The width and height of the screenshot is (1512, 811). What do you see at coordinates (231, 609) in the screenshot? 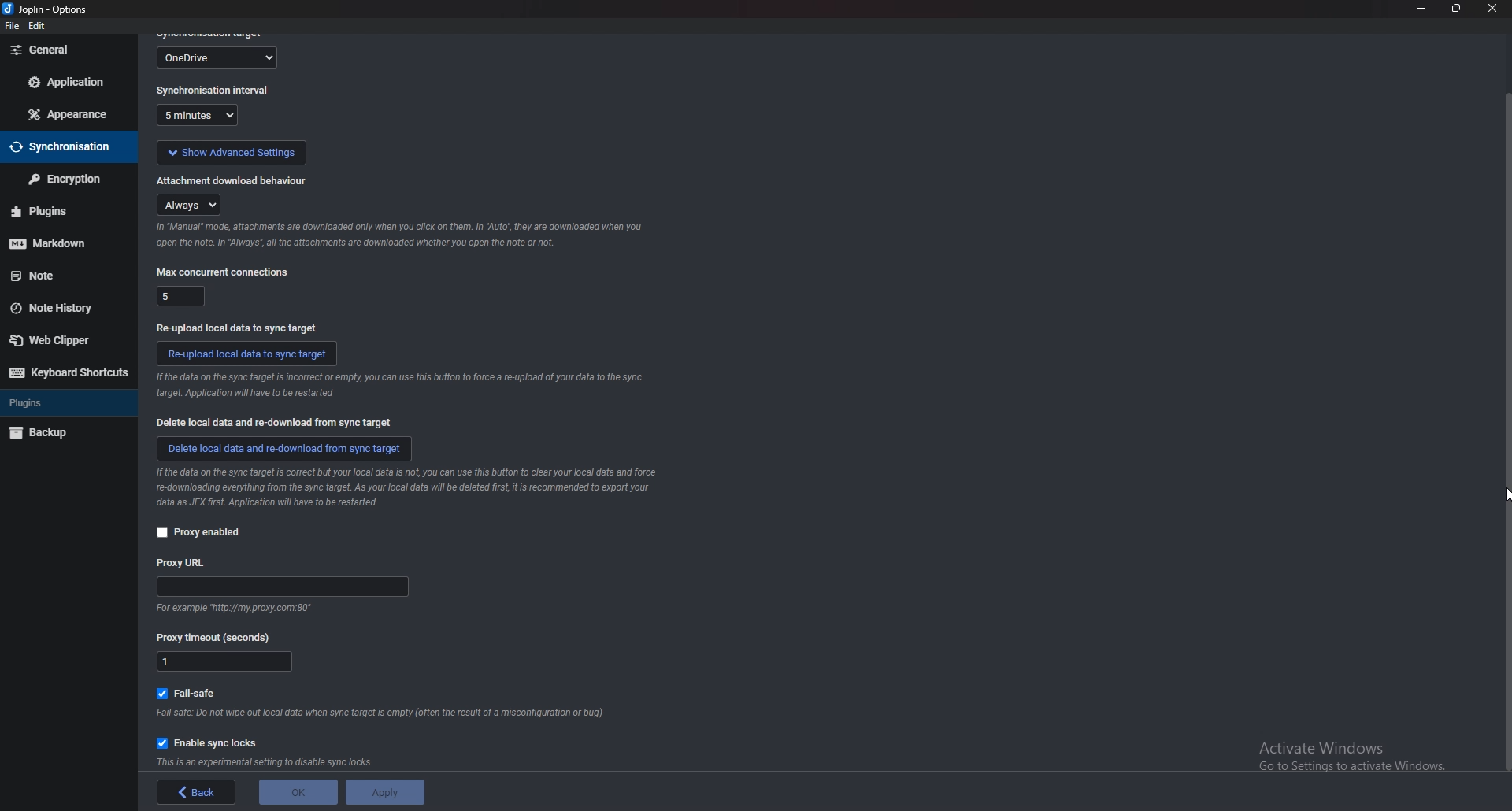
I see `info` at bounding box center [231, 609].